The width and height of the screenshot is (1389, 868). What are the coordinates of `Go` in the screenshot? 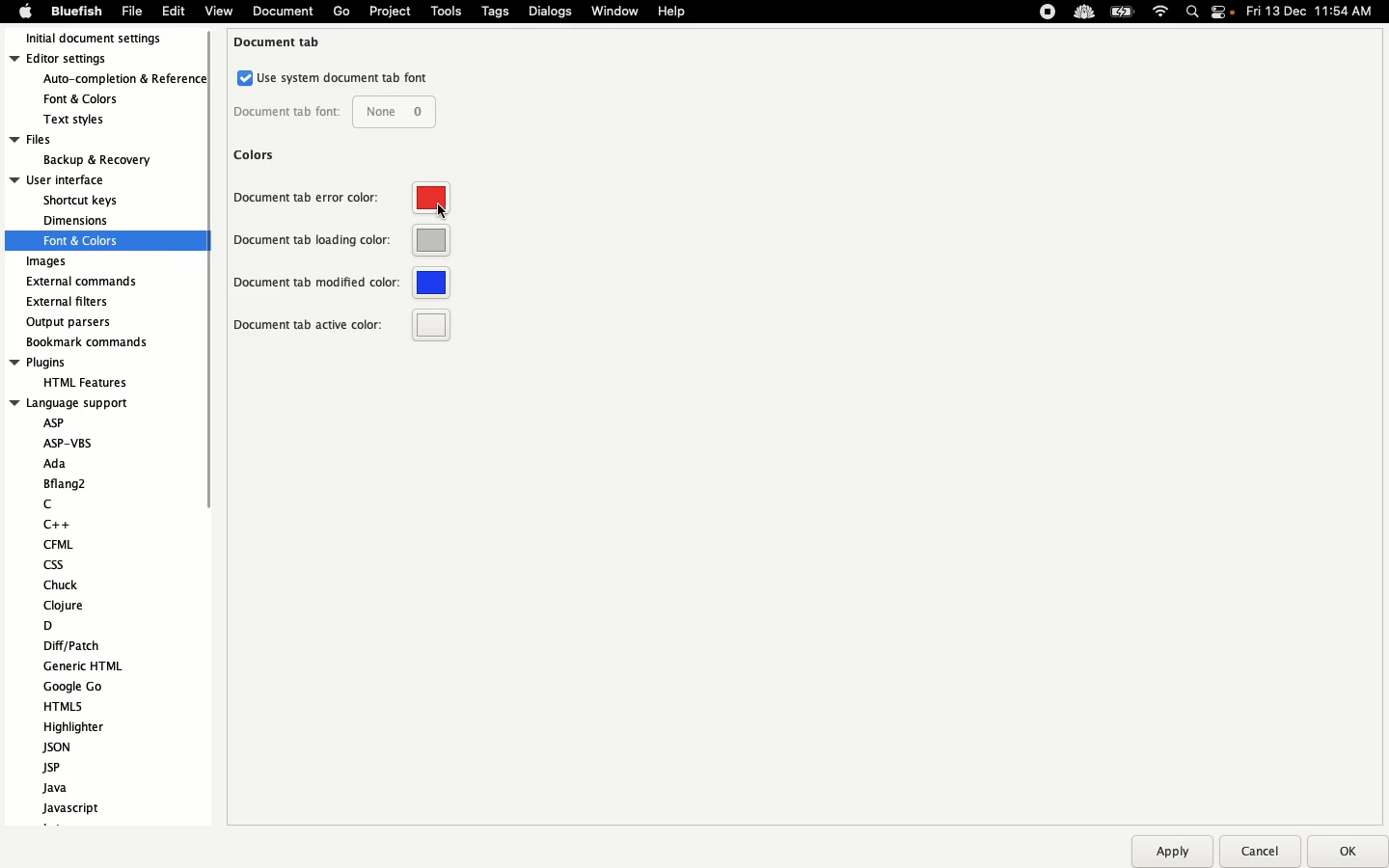 It's located at (341, 12).